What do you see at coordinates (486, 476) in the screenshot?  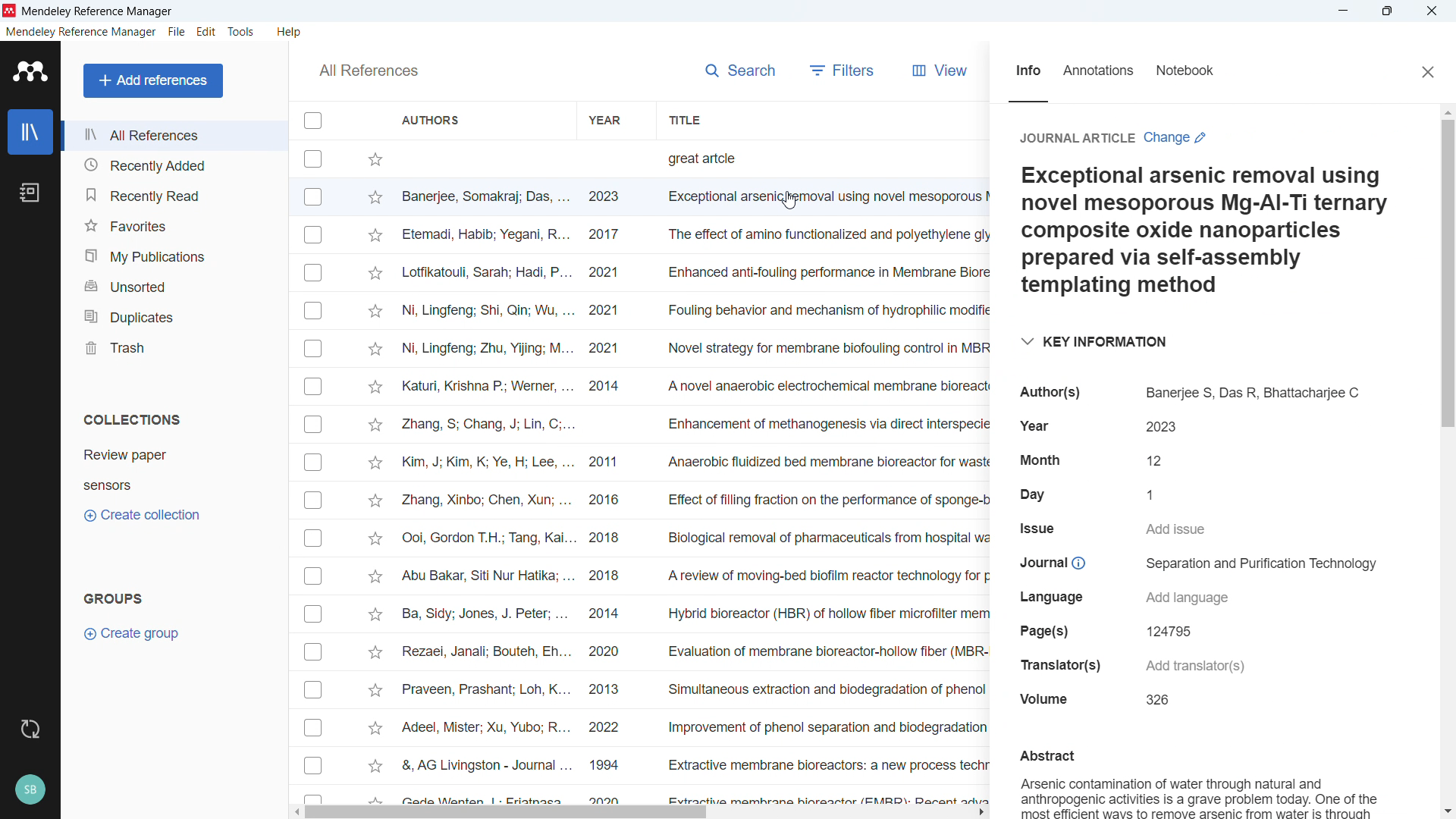 I see `Authors of individual entries ` at bounding box center [486, 476].